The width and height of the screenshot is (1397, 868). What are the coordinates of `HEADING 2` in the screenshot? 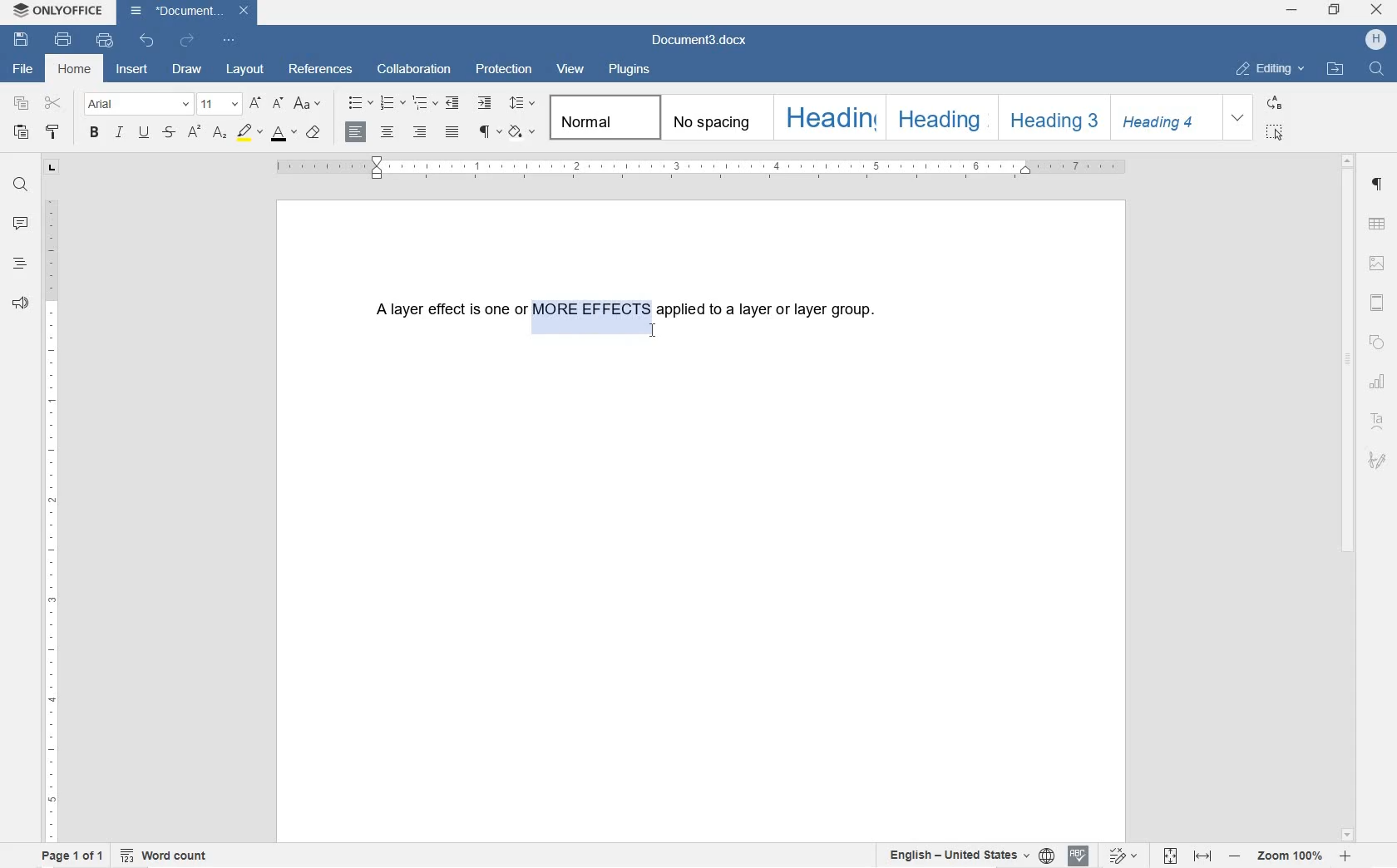 It's located at (937, 116).